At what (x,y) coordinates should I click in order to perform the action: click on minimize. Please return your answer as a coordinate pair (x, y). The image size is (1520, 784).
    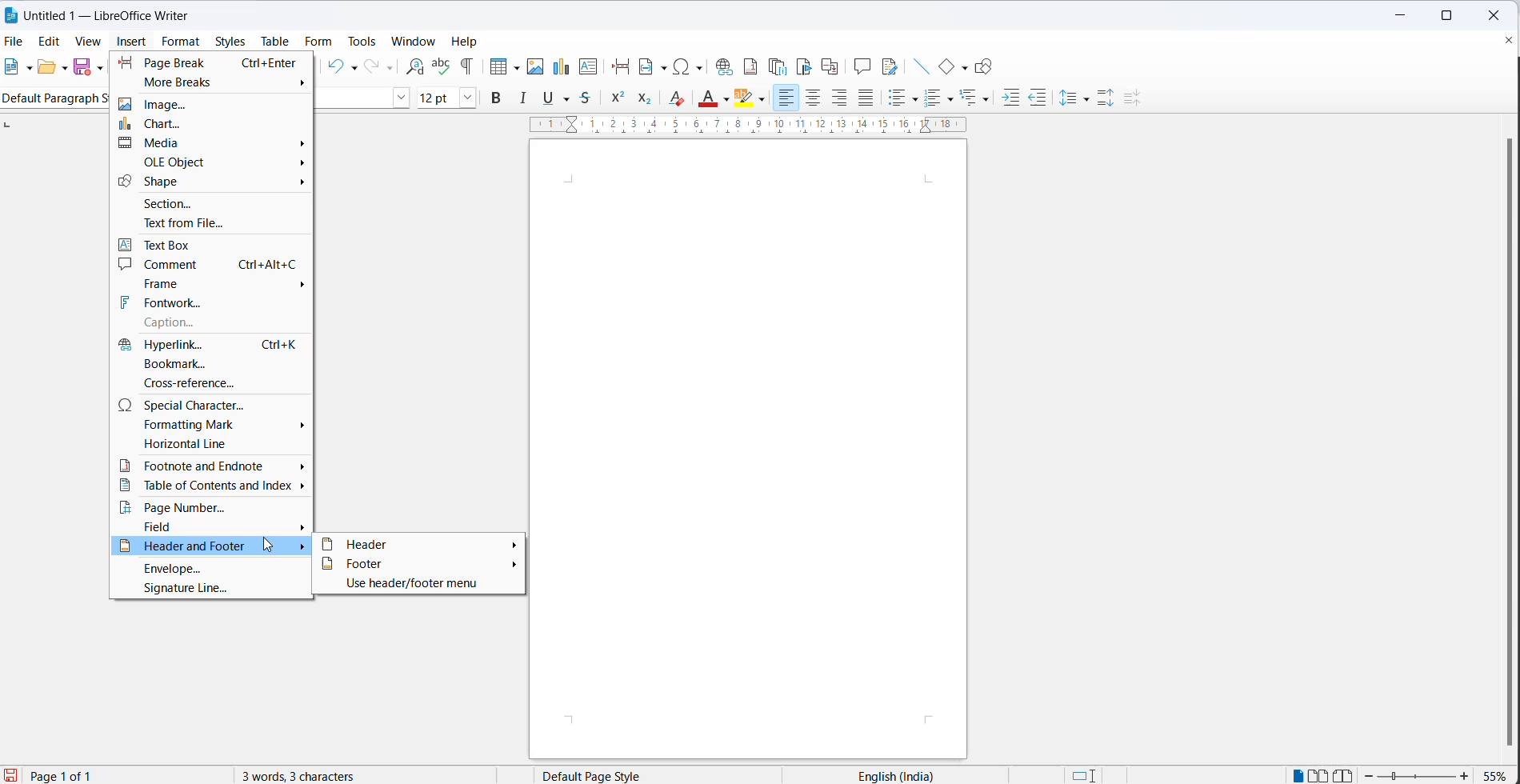
    Looking at the image, I should click on (1401, 16).